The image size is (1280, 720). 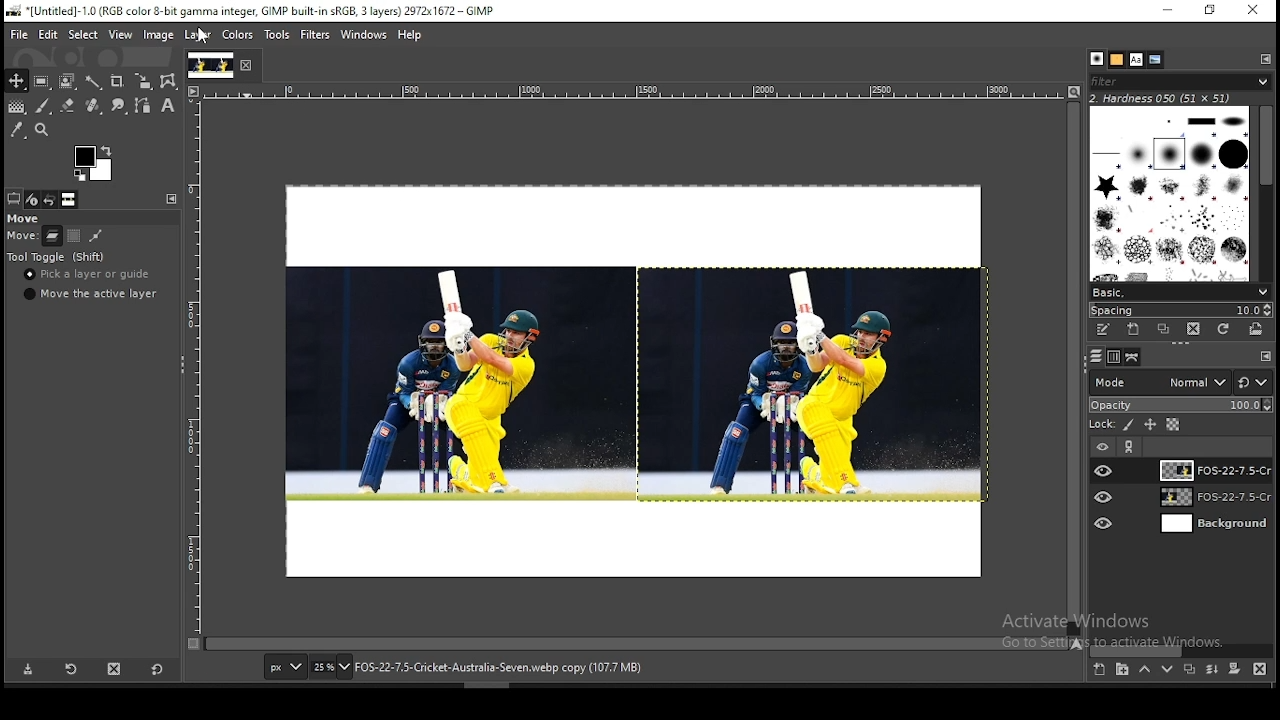 What do you see at coordinates (1266, 357) in the screenshot?
I see `tool` at bounding box center [1266, 357].